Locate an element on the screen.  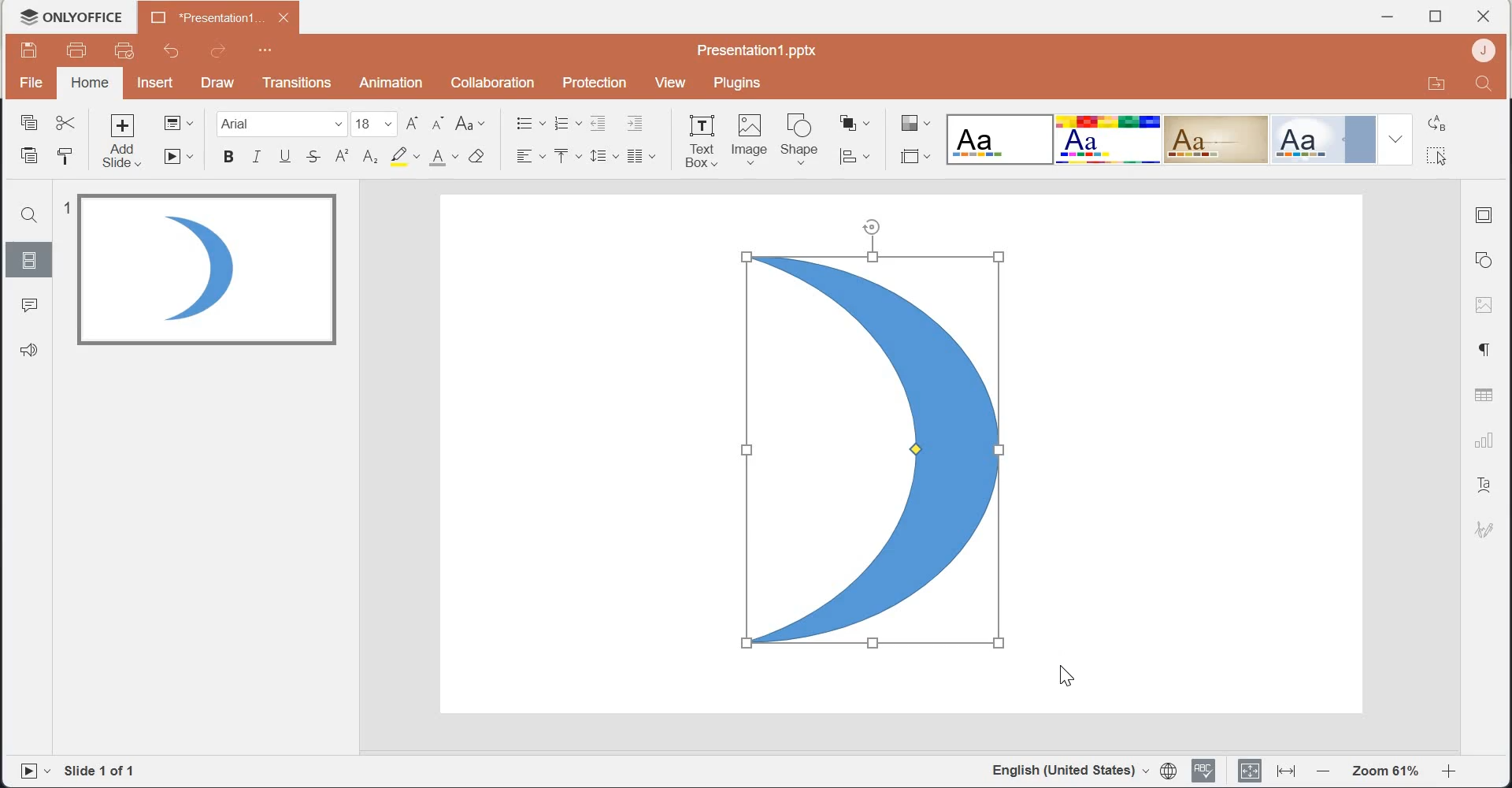
Bullets is located at coordinates (530, 121).